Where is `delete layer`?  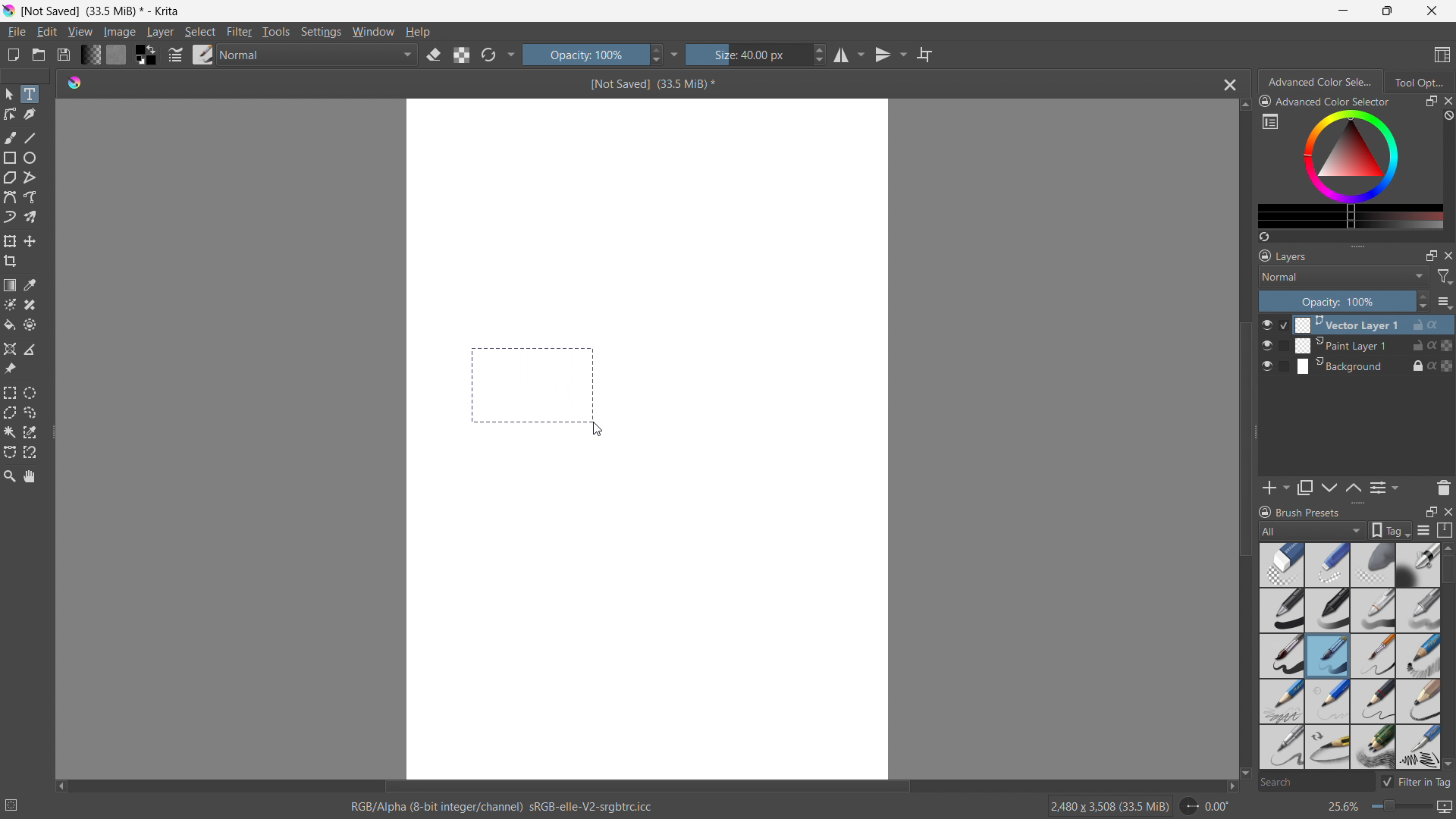 delete layer is located at coordinates (1443, 487).